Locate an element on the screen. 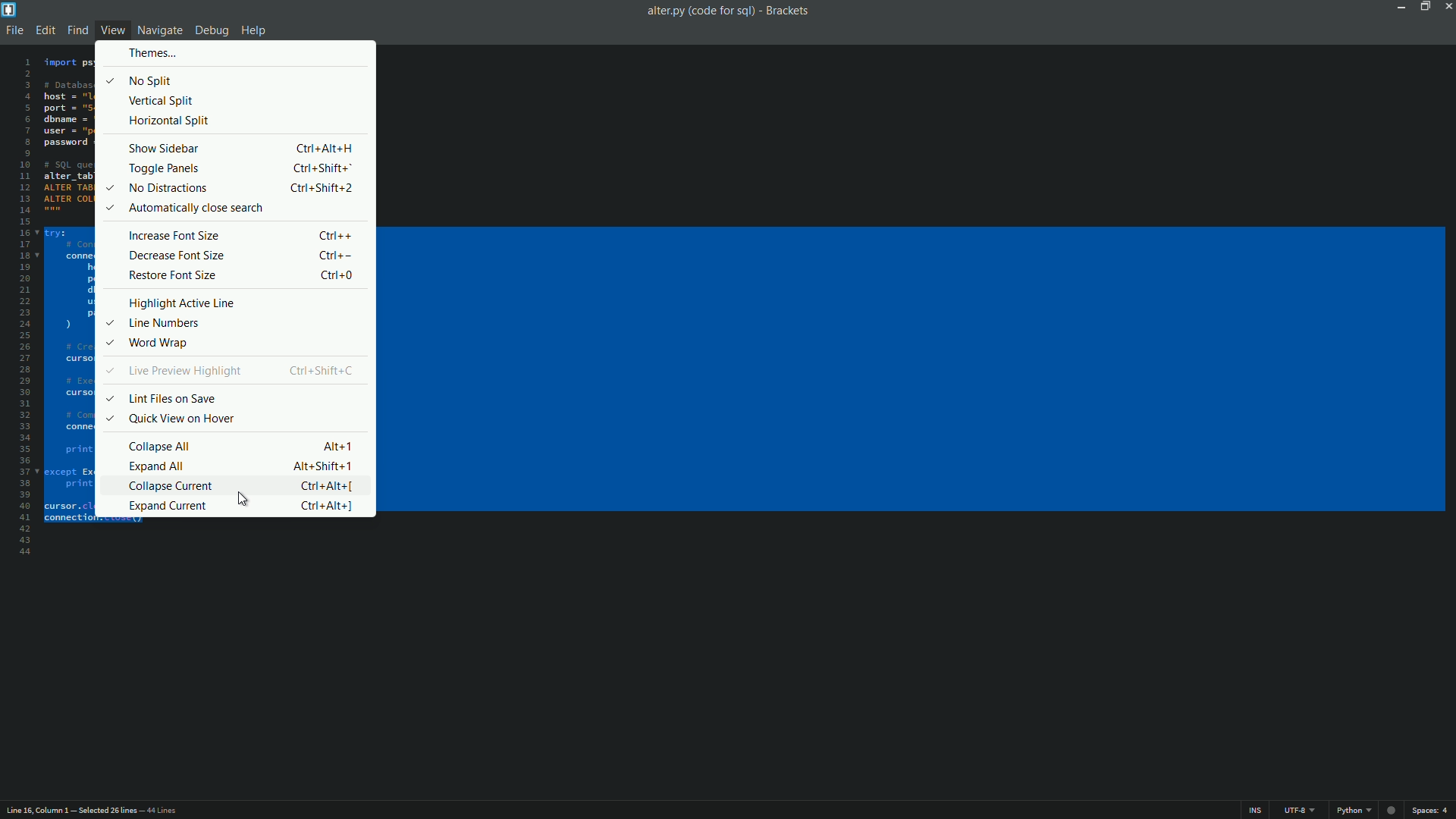  word wrap is located at coordinates (158, 343).